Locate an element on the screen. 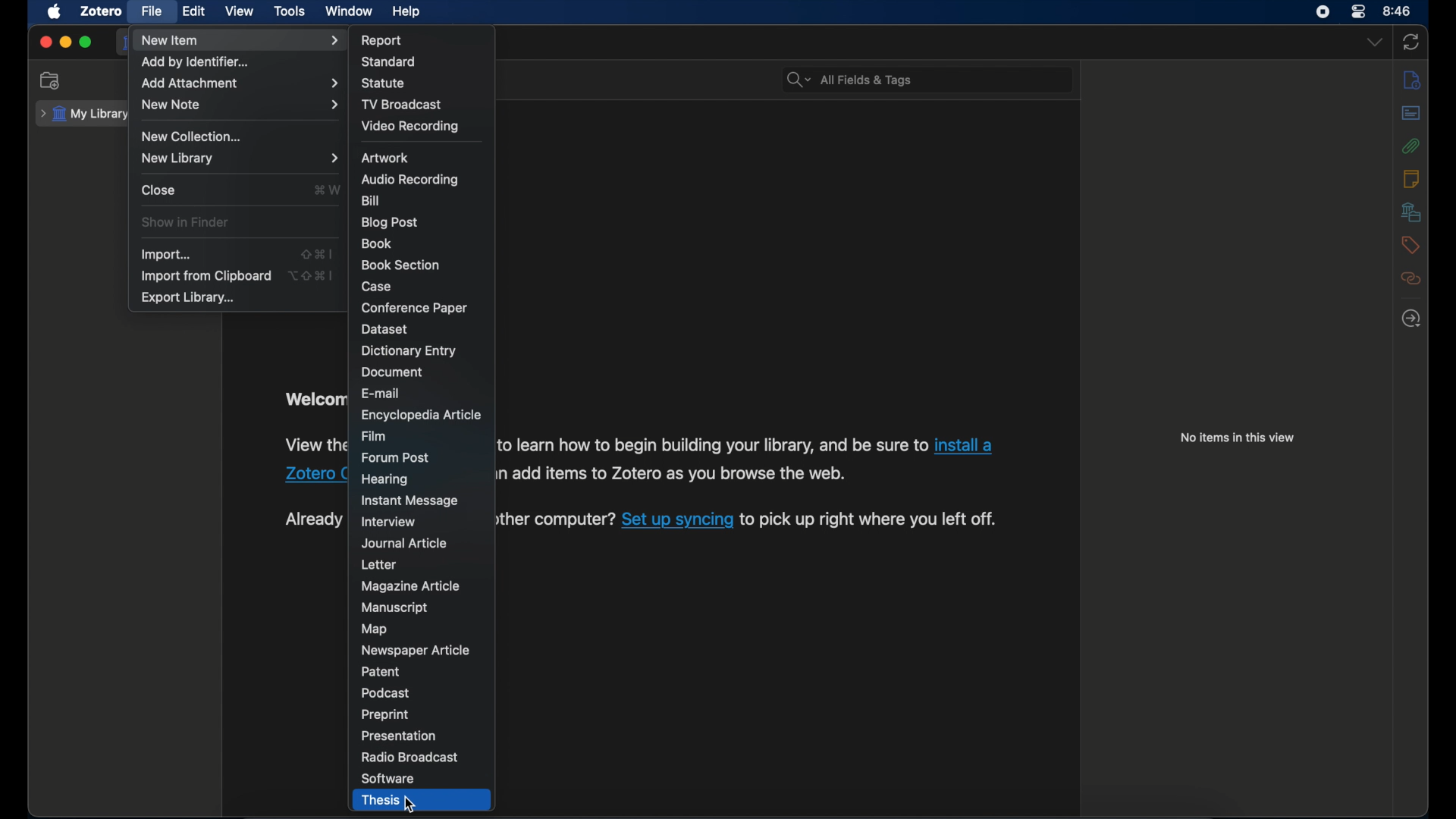 The height and width of the screenshot is (819, 1456). cursor on Thesis is located at coordinates (411, 802).